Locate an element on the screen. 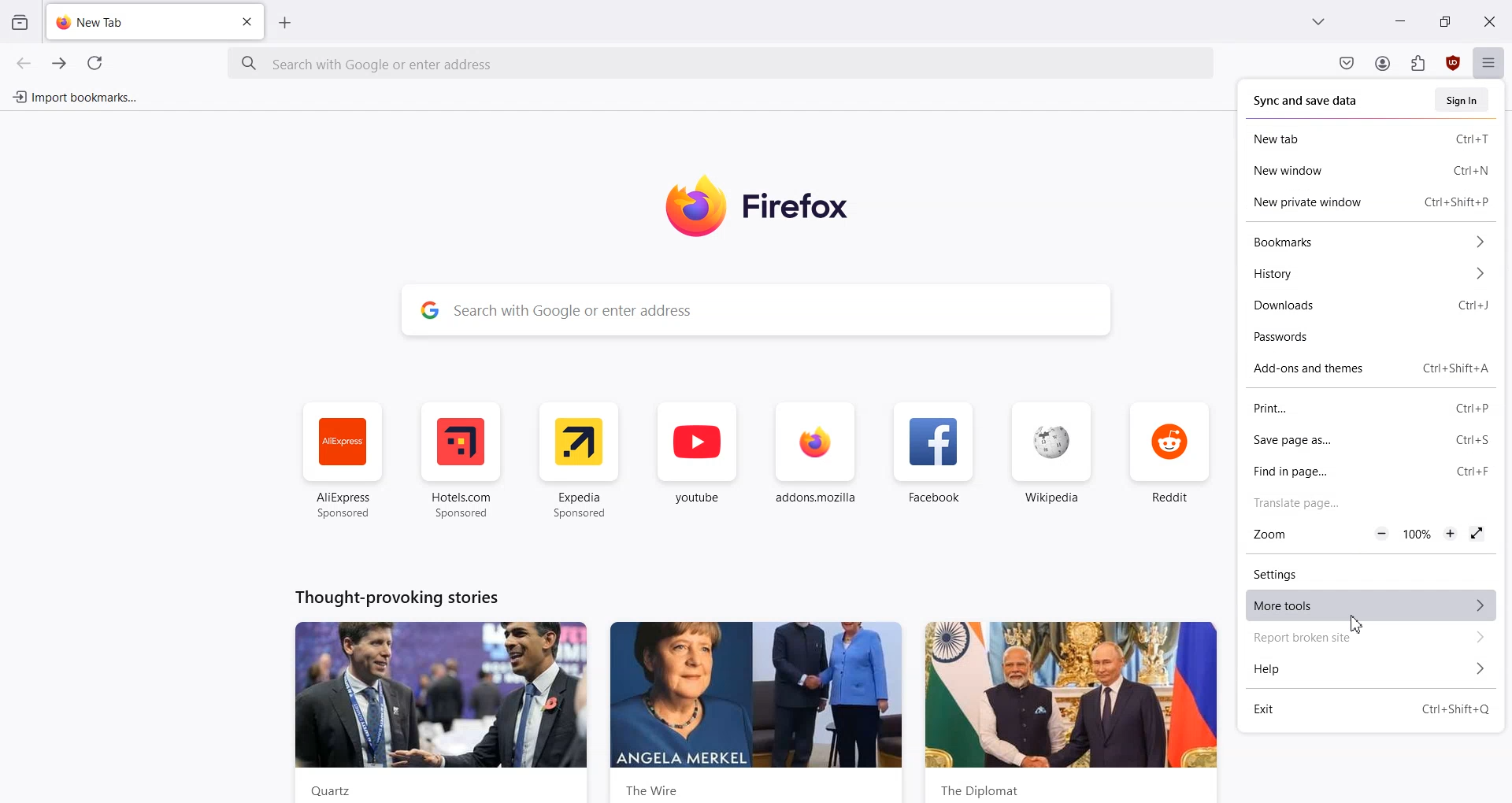 Image resolution: width=1512 pixels, height=803 pixels. addon.mozilla is located at coordinates (816, 461).